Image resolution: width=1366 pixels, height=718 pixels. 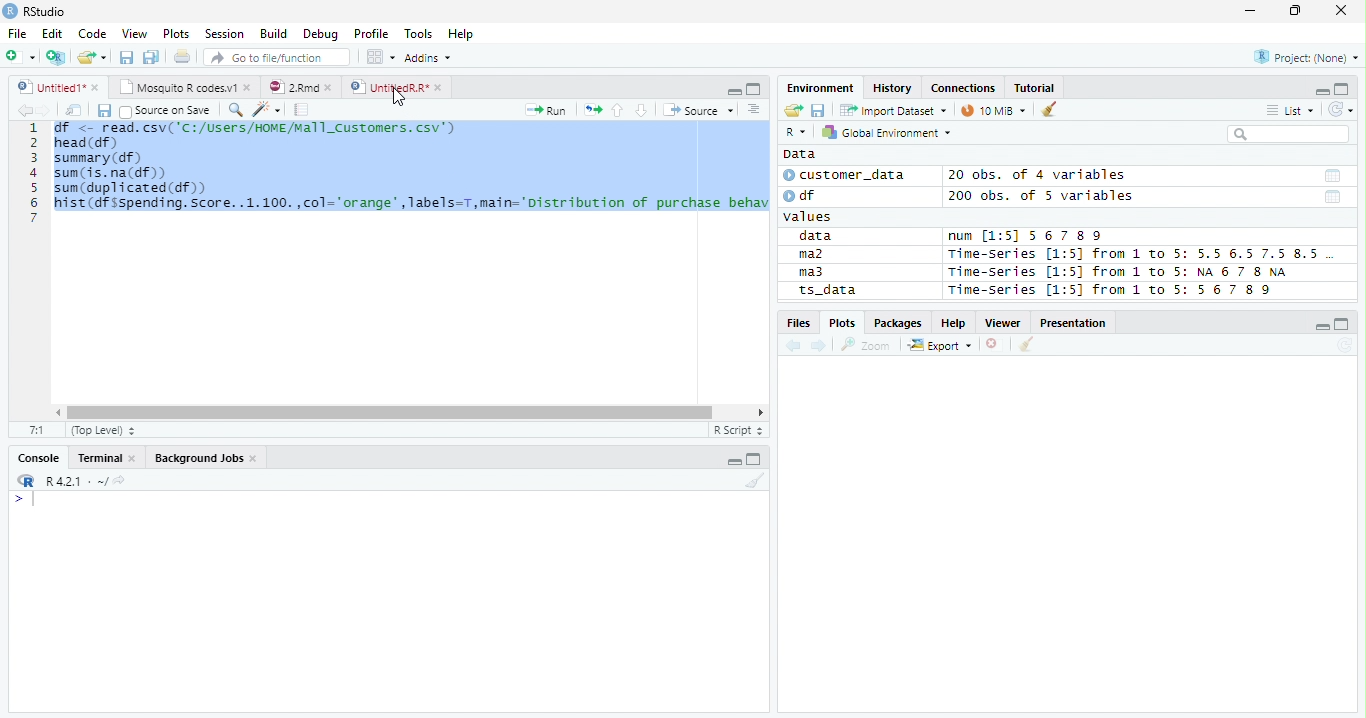 I want to click on Up, so click(x=617, y=111).